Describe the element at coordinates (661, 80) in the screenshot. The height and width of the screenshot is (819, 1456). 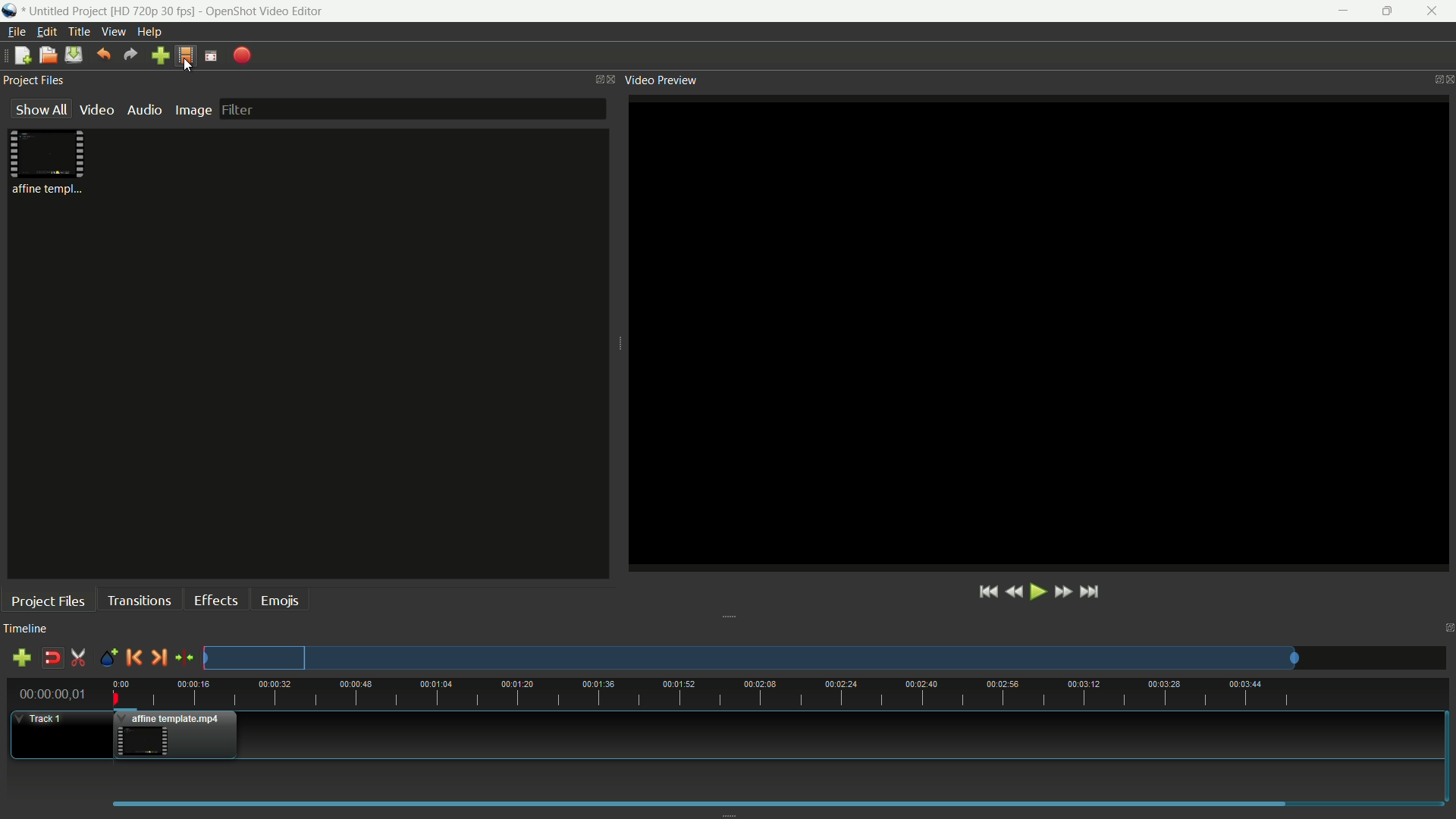
I see `video preview` at that location.